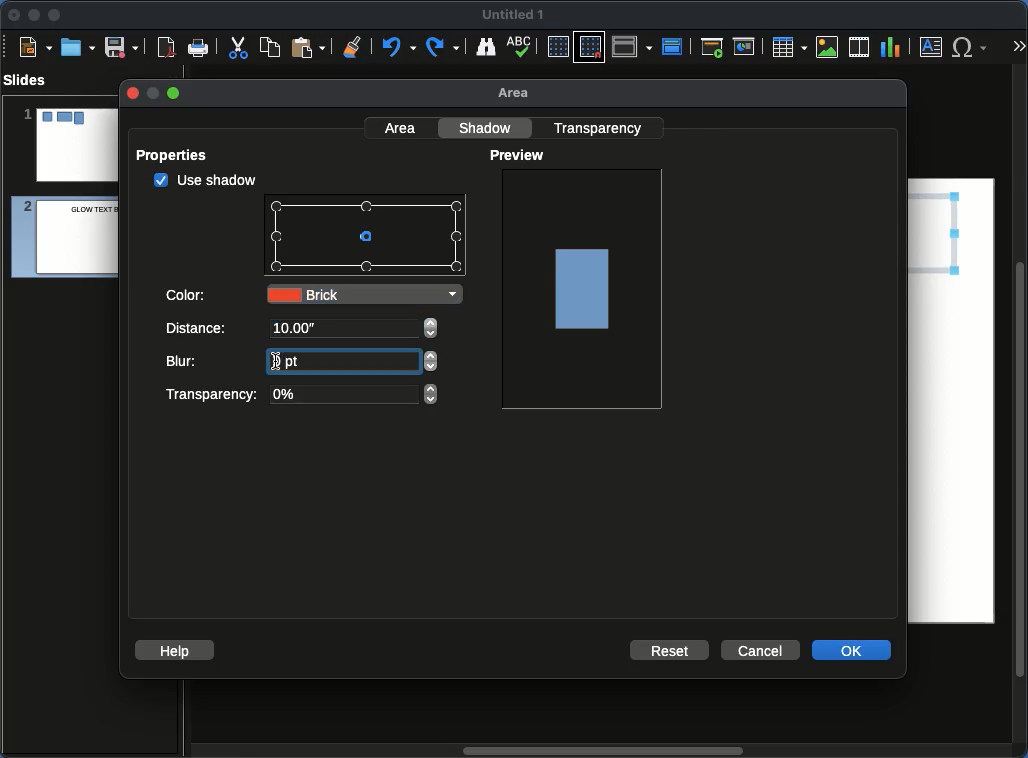  What do you see at coordinates (601, 127) in the screenshot?
I see `Transparency` at bounding box center [601, 127].